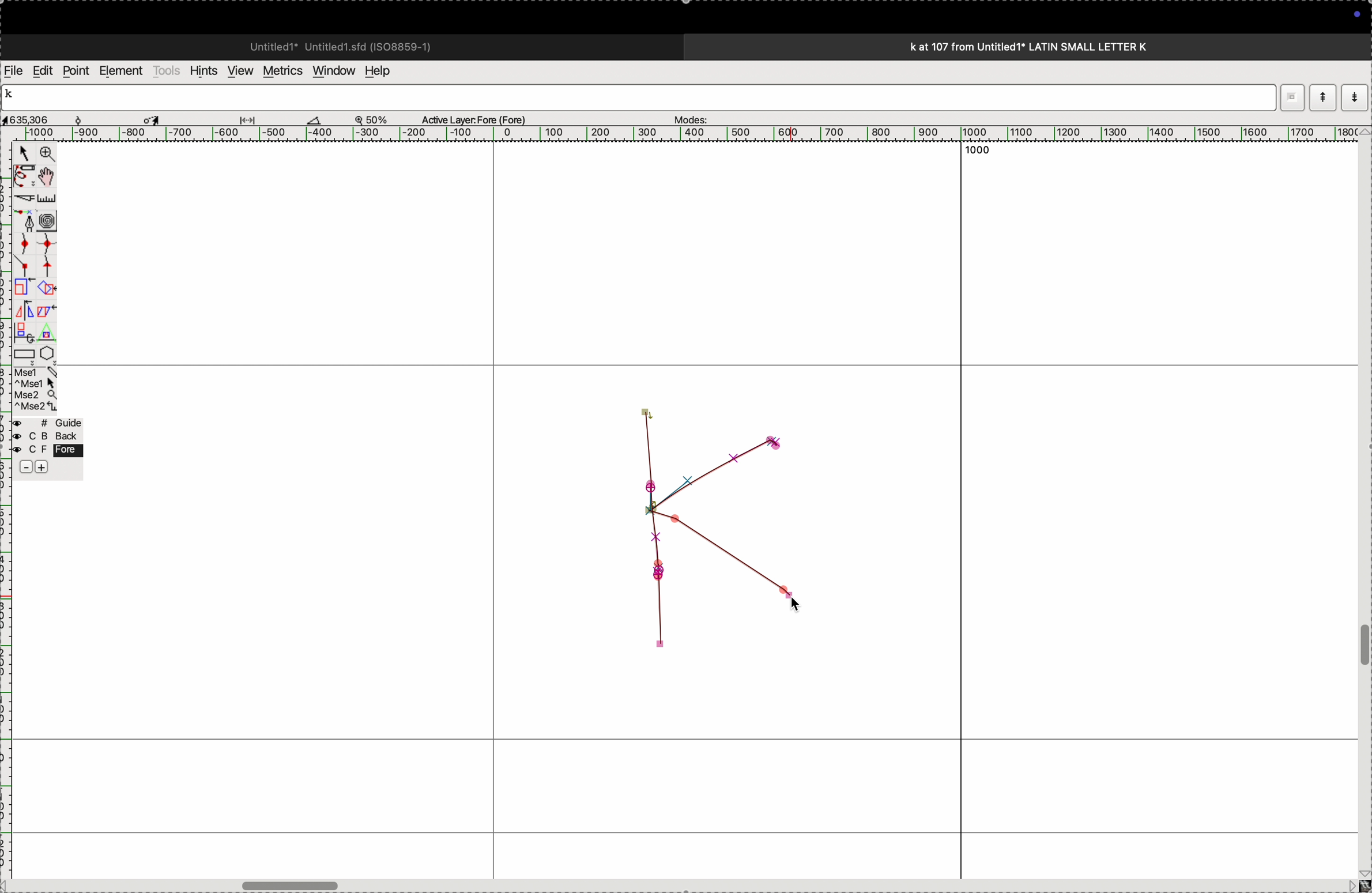 This screenshot has height=893, width=1372. What do you see at coordinates (254, 118) in the screenshot?
I see `drang` at bounding box center [254, 118].